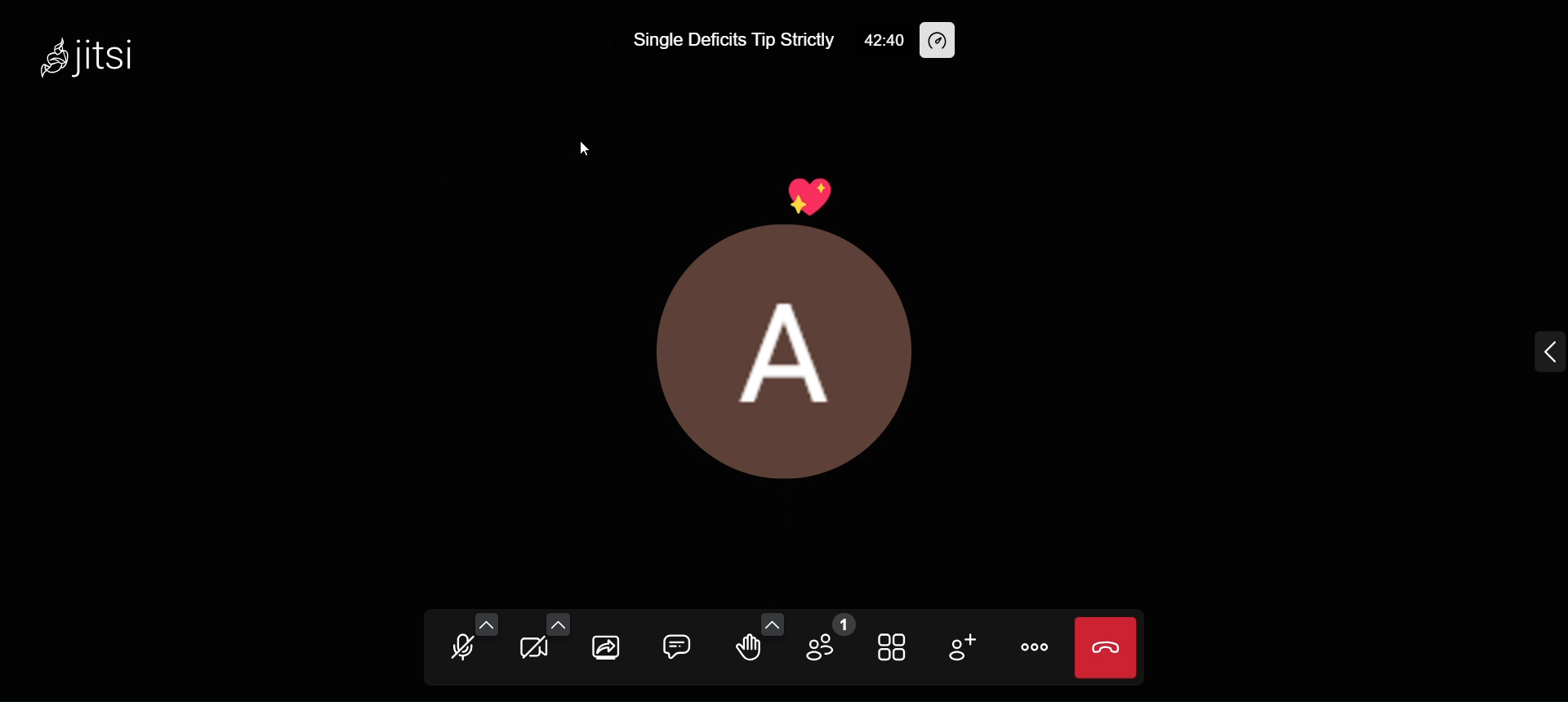 This screenshot has height=702, width=1568. What do you see at coordinates (489, 624) in the screenshot?
I see `audio setting` at bounding box center [489, 624].